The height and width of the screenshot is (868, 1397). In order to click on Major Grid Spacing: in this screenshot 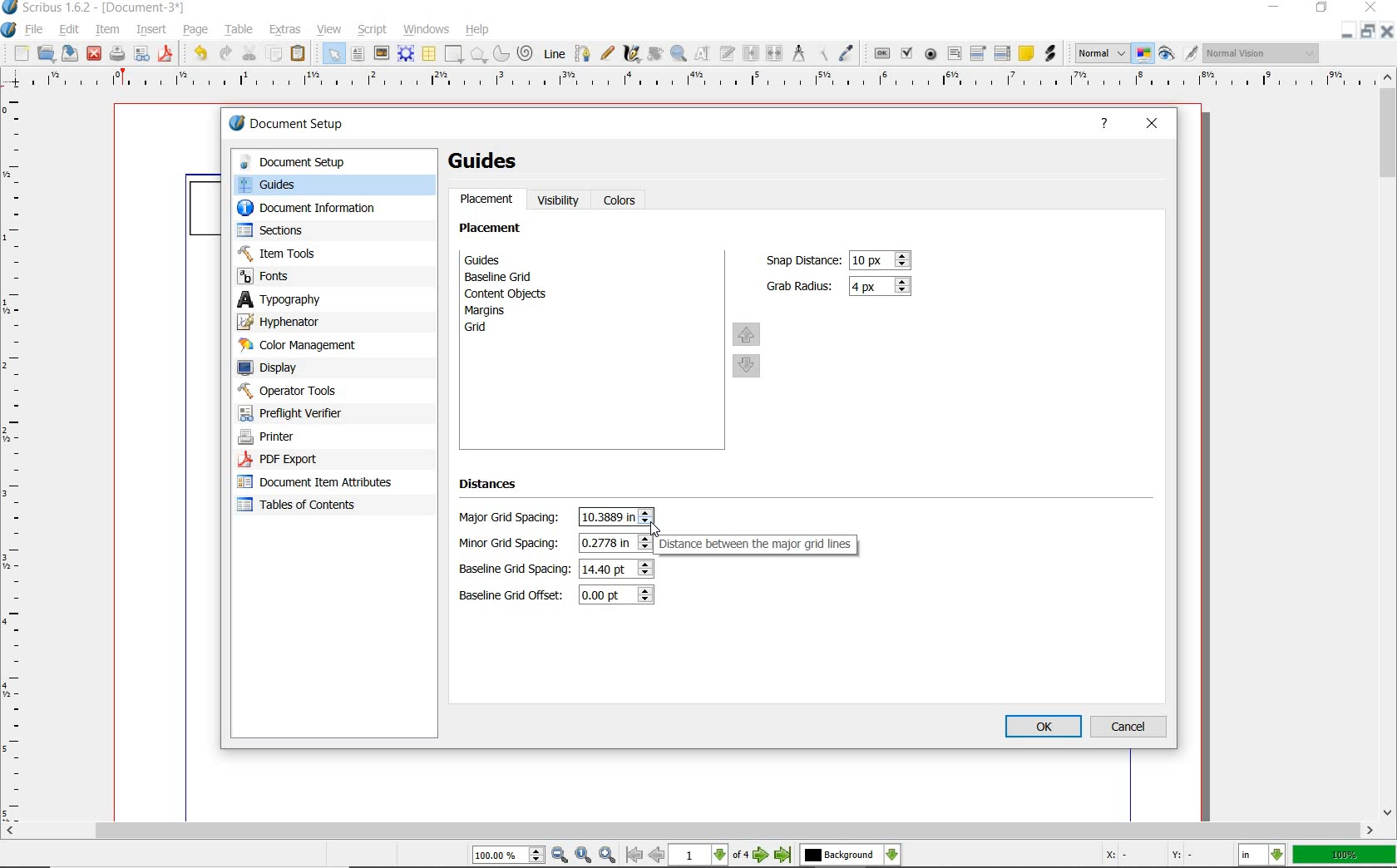, I will do `click(513, 518)`.